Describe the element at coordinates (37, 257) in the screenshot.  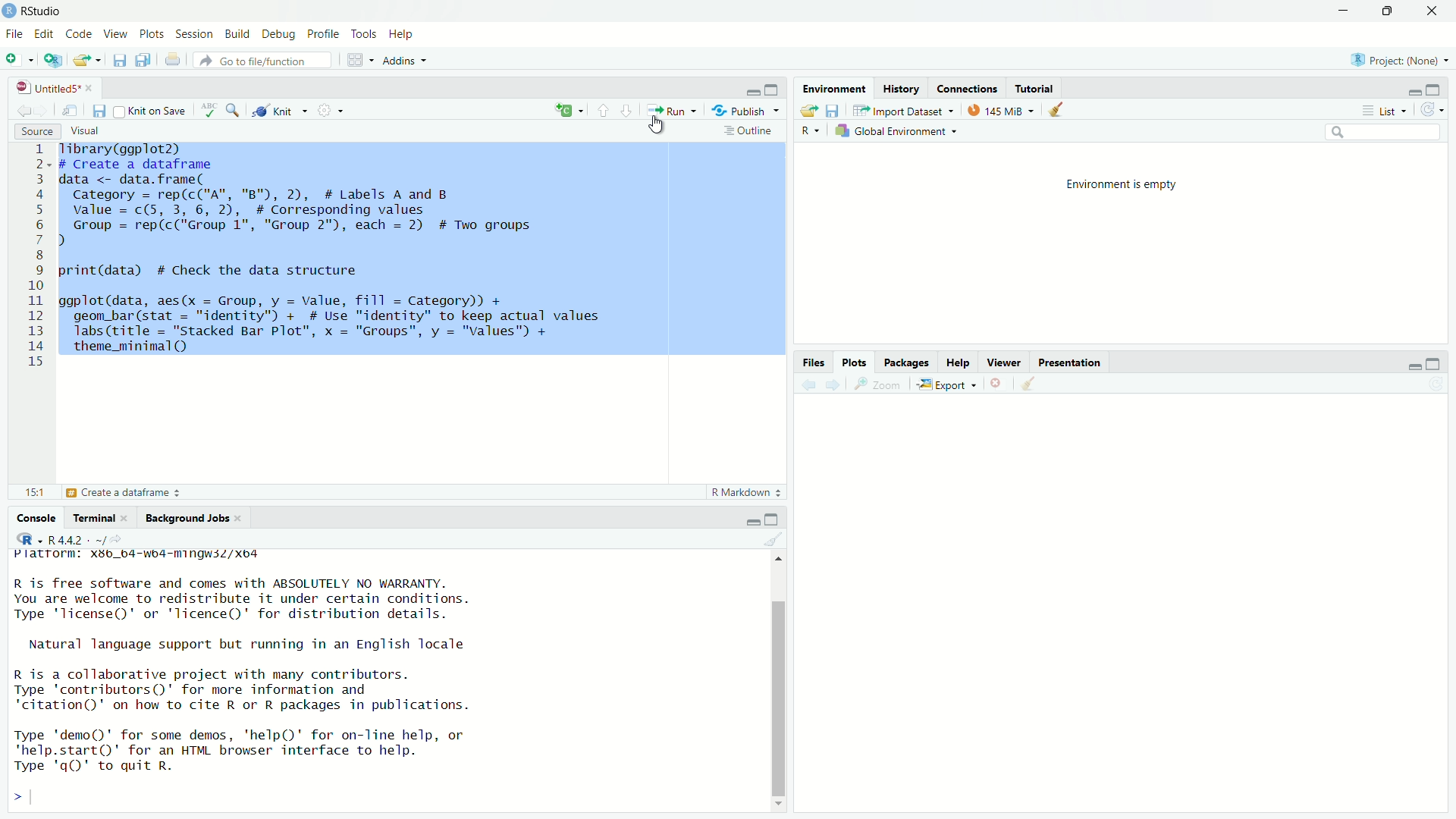
I see `1 2 3 4 5 6 7 8 9 10 11 12 13 14 15` at that location.